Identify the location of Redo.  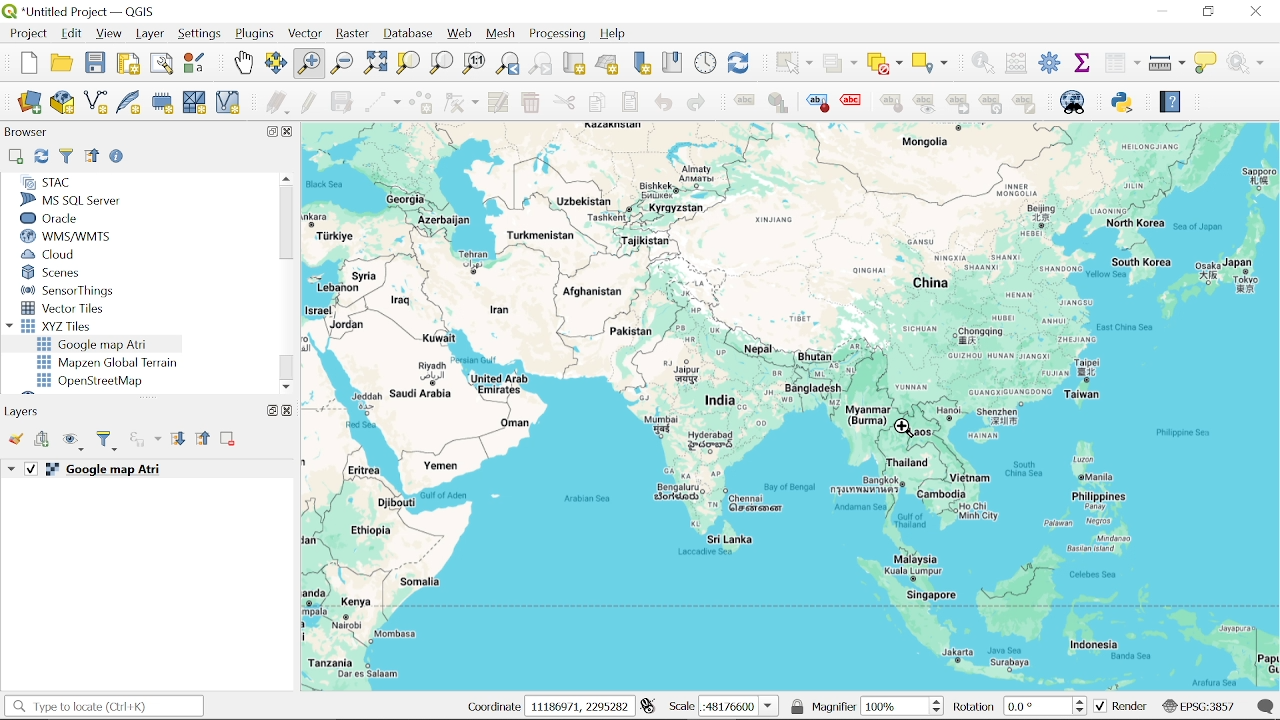
(695, 104).